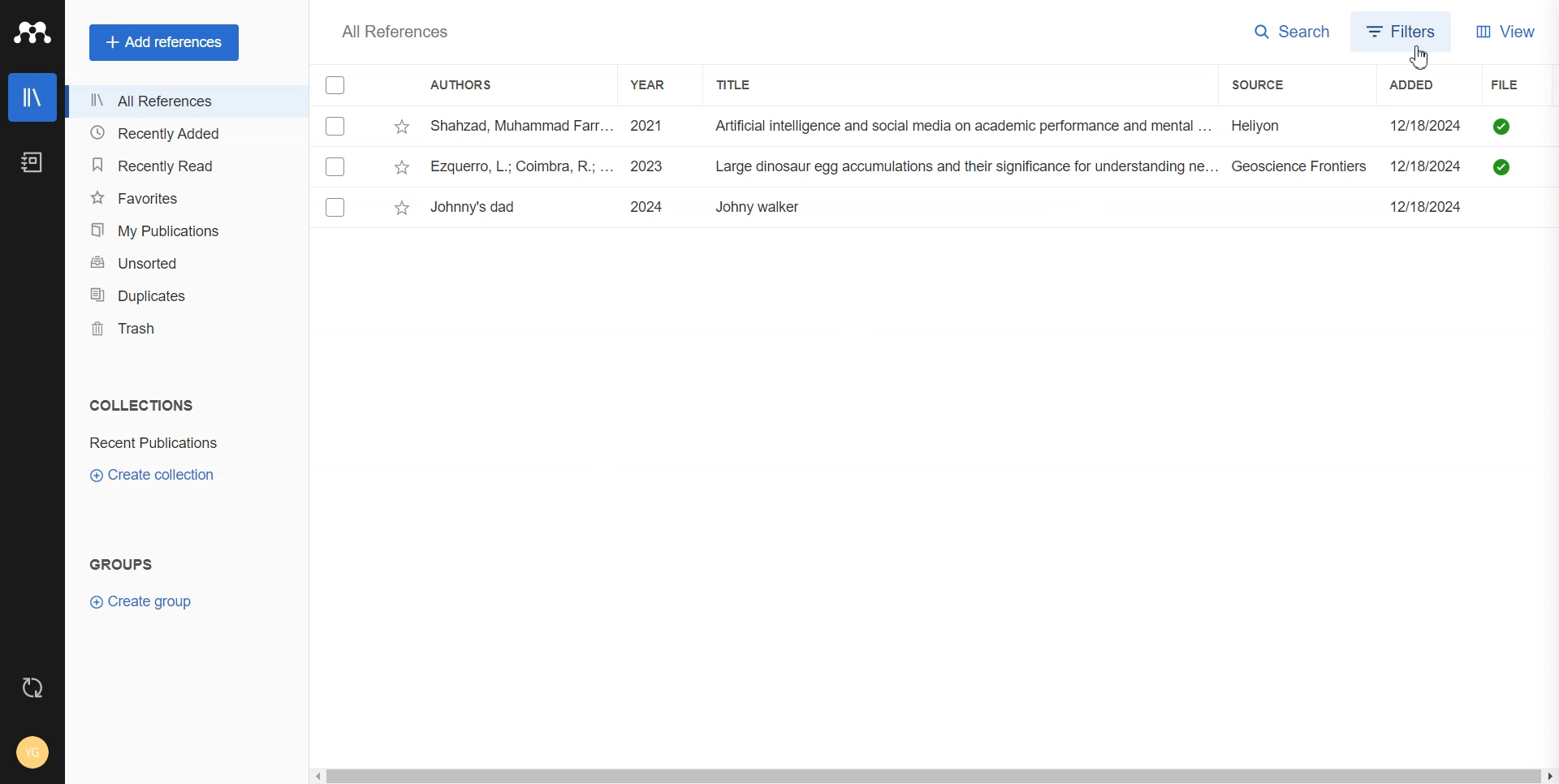 This screenshot has width=1559, height=784. What do you see at coordinates (337, 85) in the screenshot?
I see `Checklist` at bounding box center [337, 85].